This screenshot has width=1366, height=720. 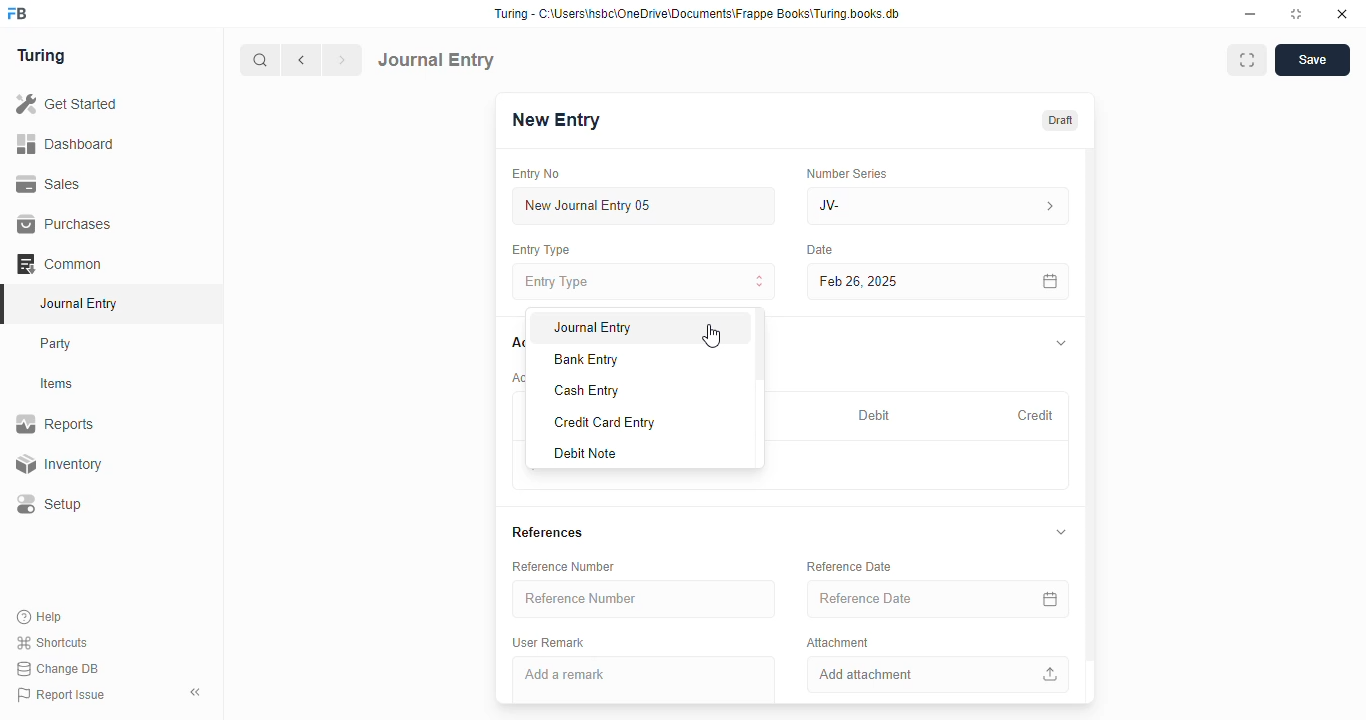 I want to click on toggle expand/collapse, so click(x=1062, y=344).